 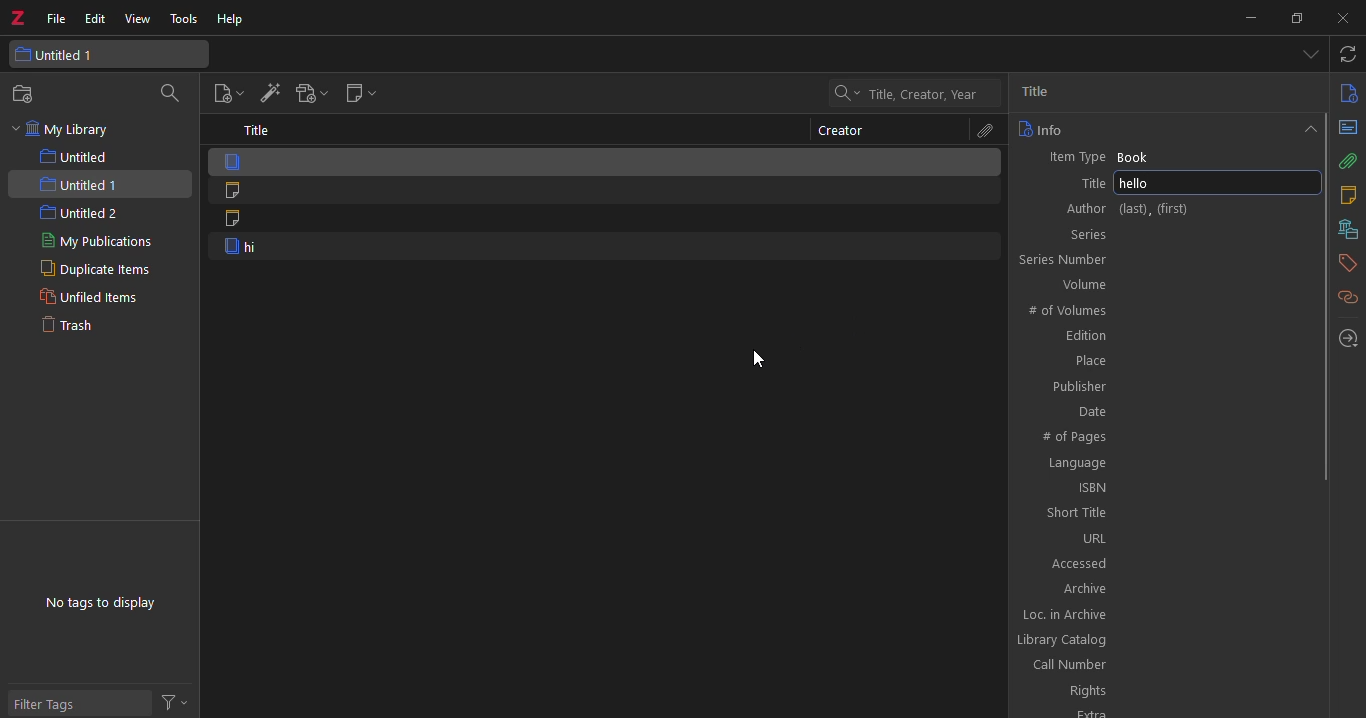 What do you see at coordinates (1167, 561) in the screenshot?
I see `accessed` at bounding box center [1167, 561].